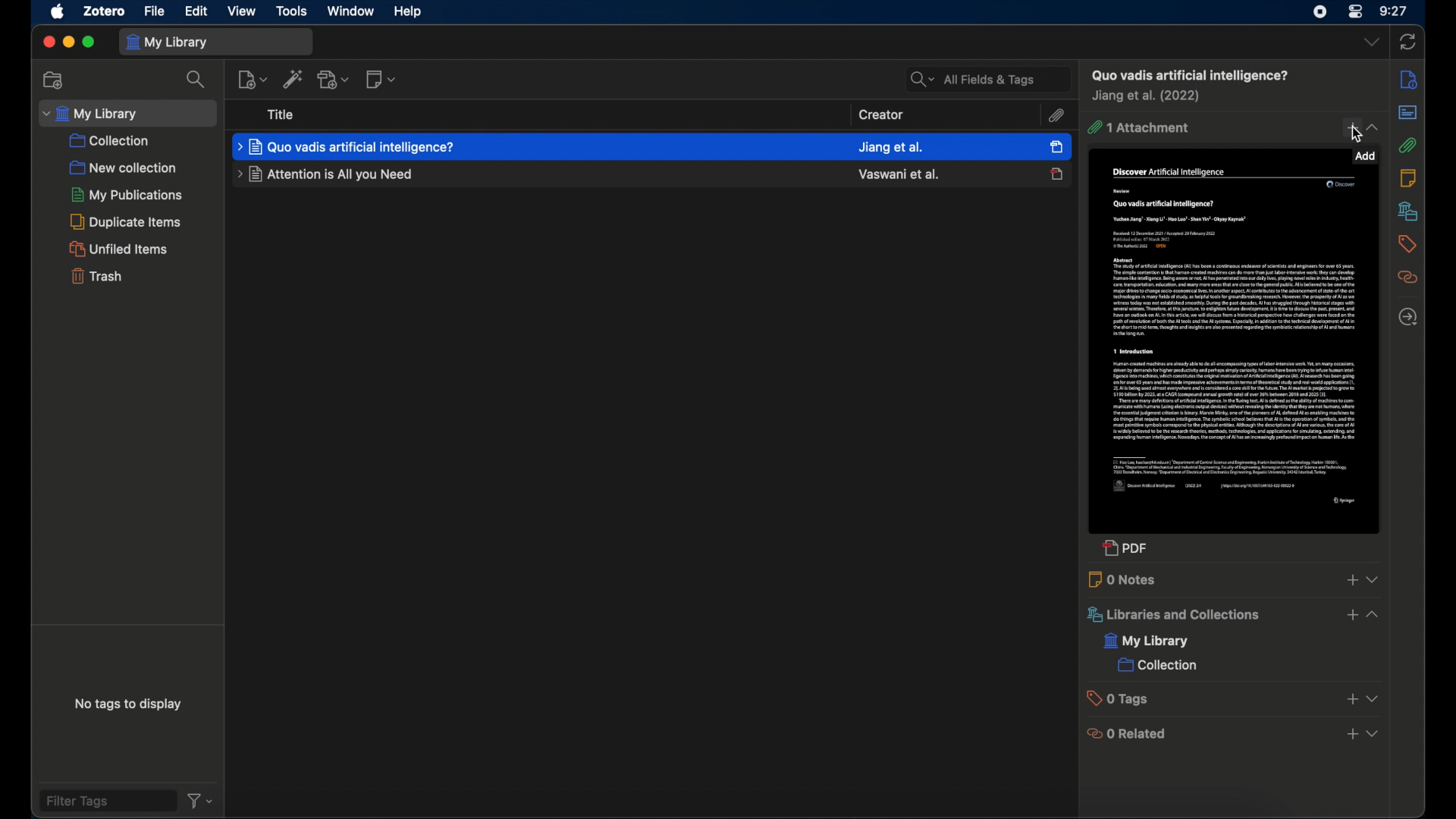 Image resolution: width=1456 pixels, height=819 pixels. Describe the element at coordinates (1351, 735) in the screenshot. I see `add` at that location.